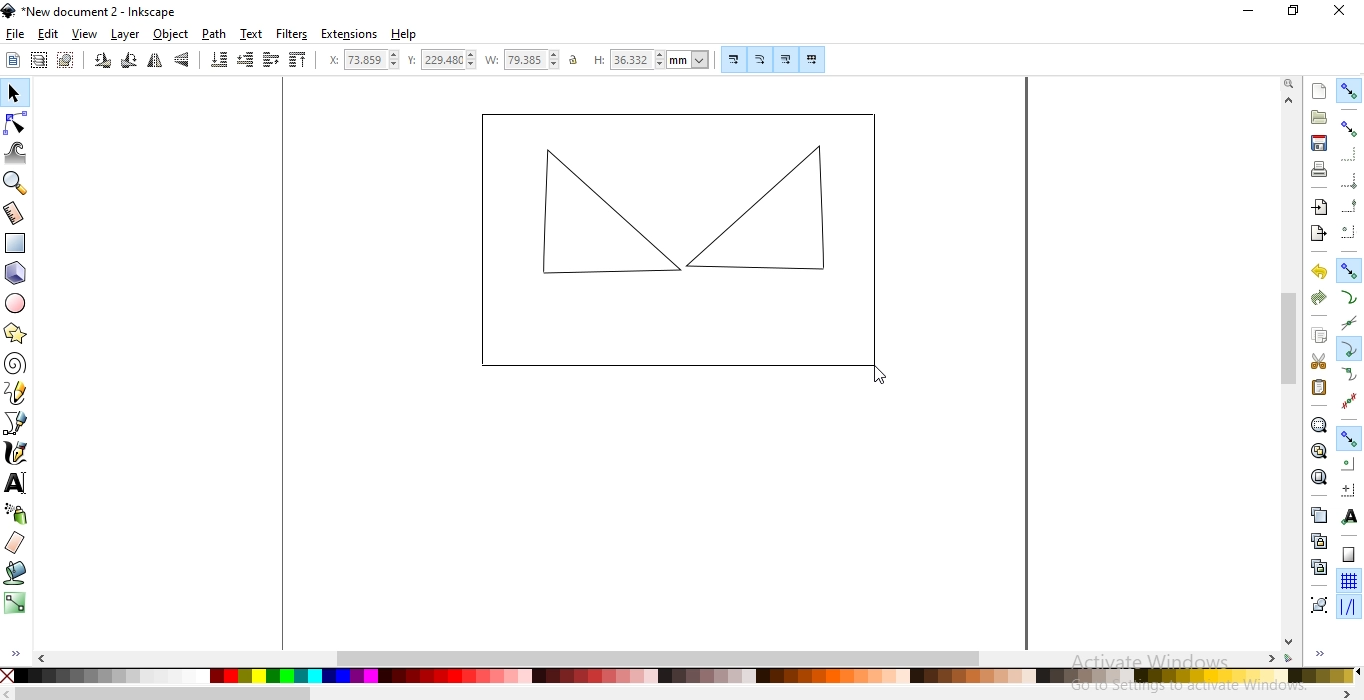  Describe the element at coordinates (1320, 143) in the screenshot. I see `save document` at that location.